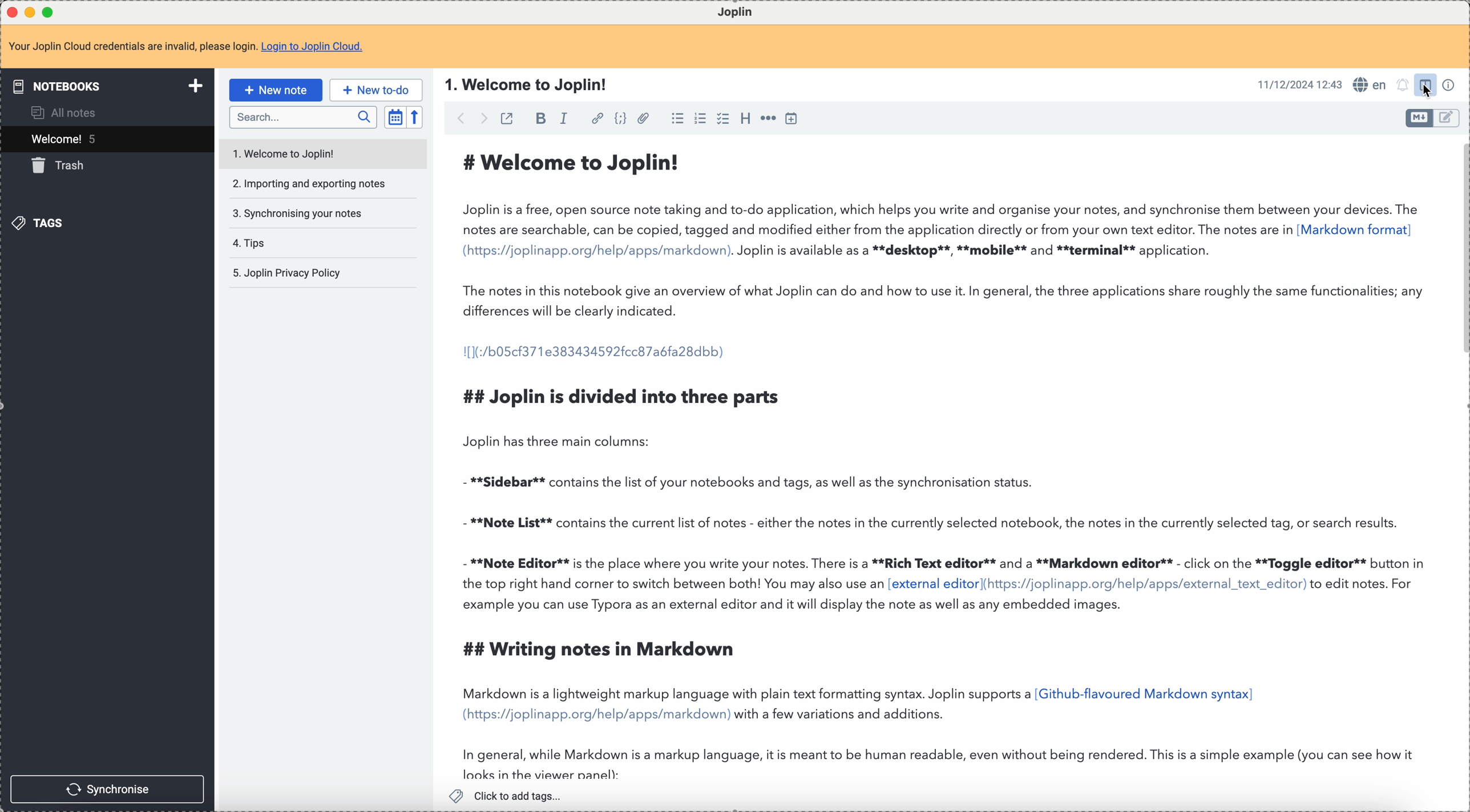  Describe the element at coordinates (509, 118) in the screenshot. I see `toggle external editing` at that location.